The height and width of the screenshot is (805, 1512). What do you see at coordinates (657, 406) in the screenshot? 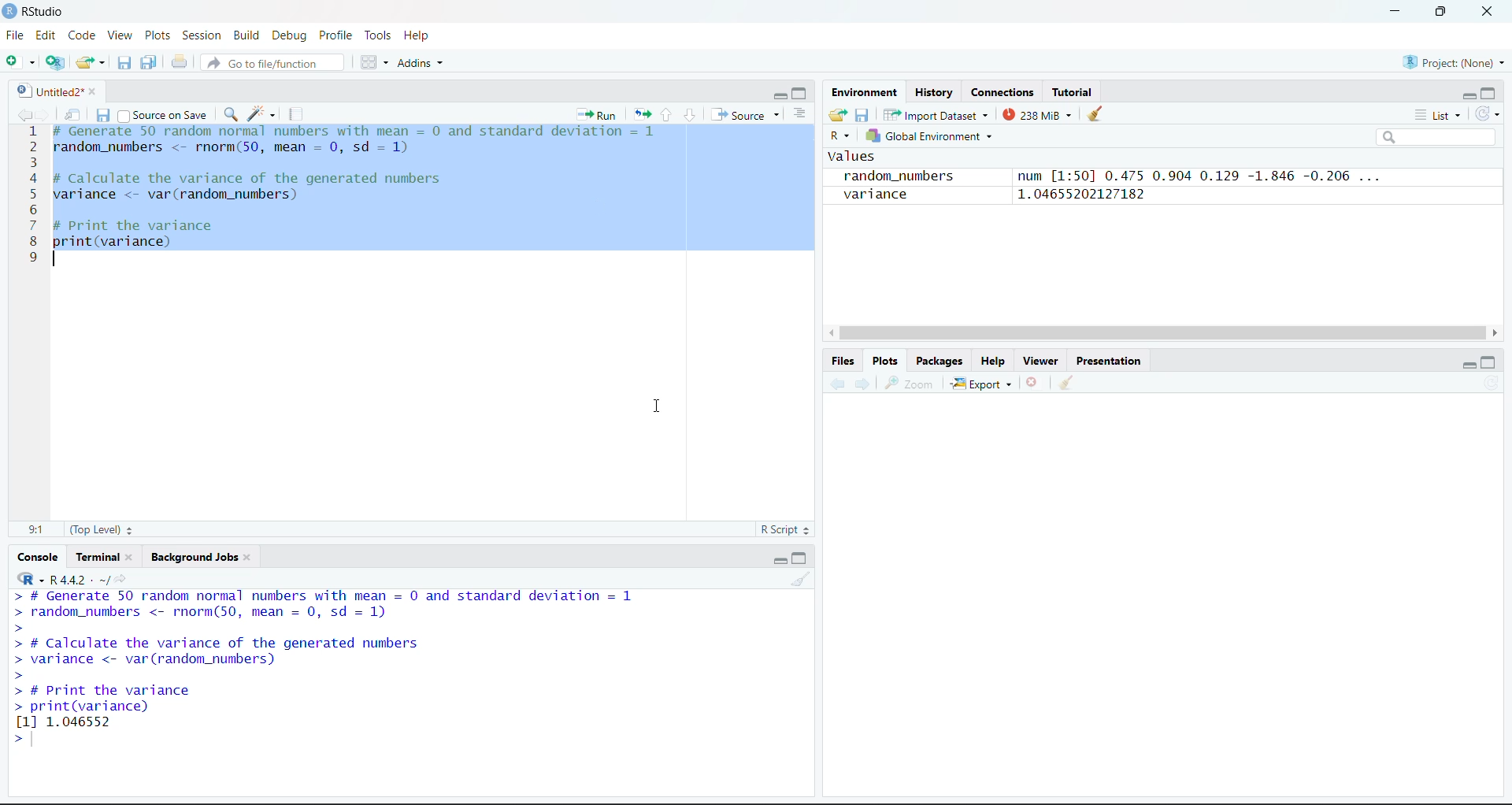
I see `cursor` at bounding box center [657, 406].